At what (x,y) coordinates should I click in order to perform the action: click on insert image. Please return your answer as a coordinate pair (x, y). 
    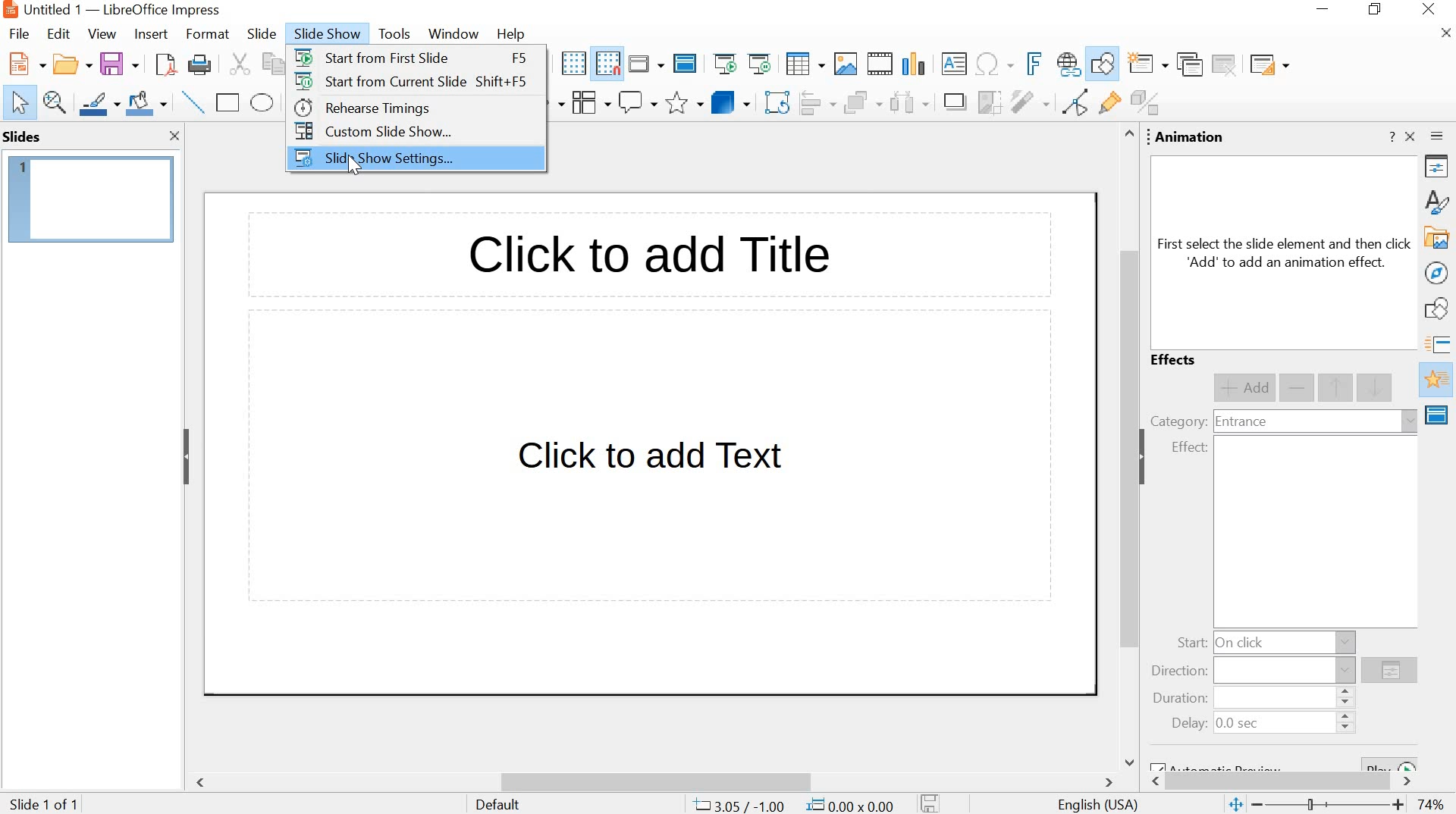
    Looking at the image, I should click on (845, 64).